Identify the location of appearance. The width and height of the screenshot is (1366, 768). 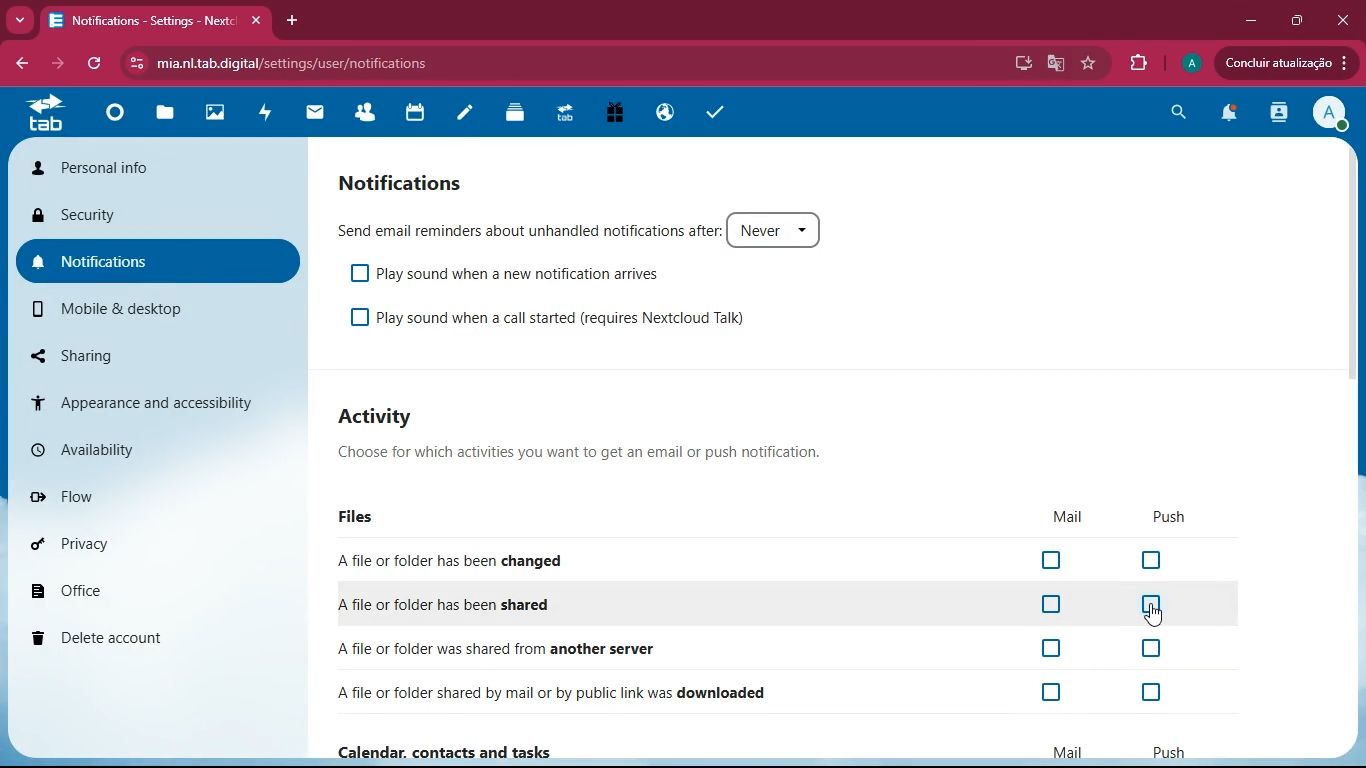
(156, 401).